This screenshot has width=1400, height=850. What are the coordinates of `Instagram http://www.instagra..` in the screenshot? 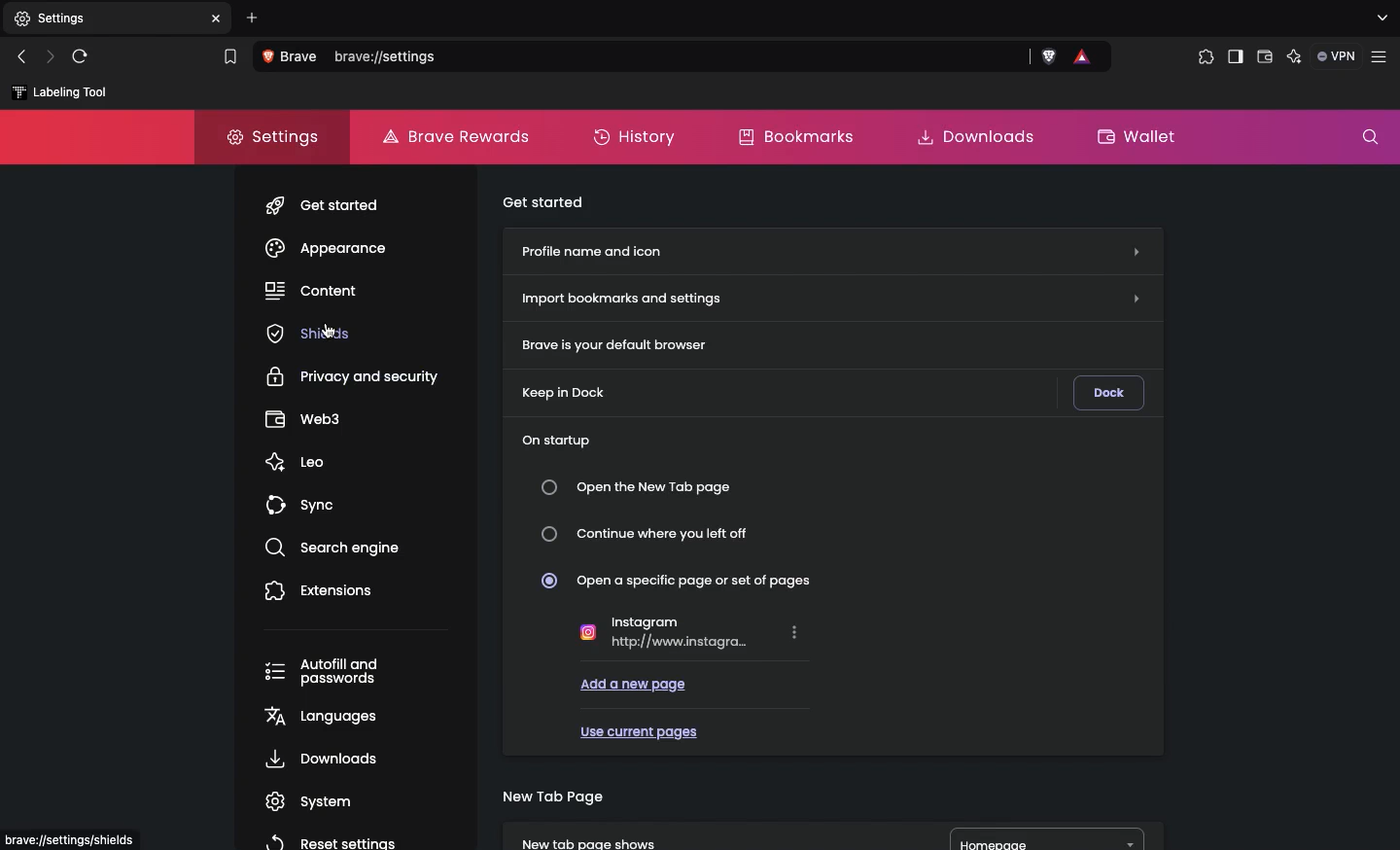 It's located at (689, 636).